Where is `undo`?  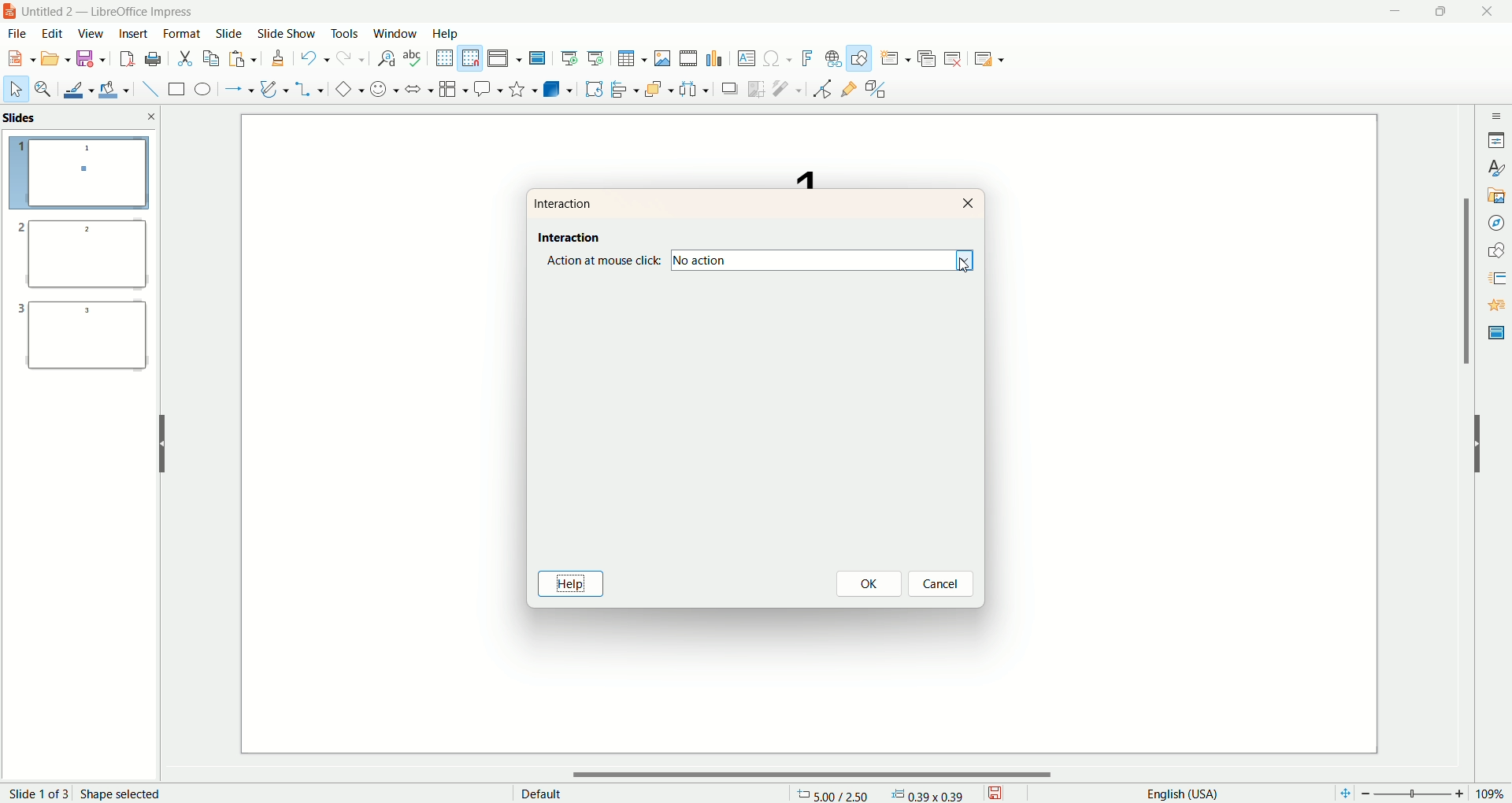
undo is located at coordinates (313, 60).